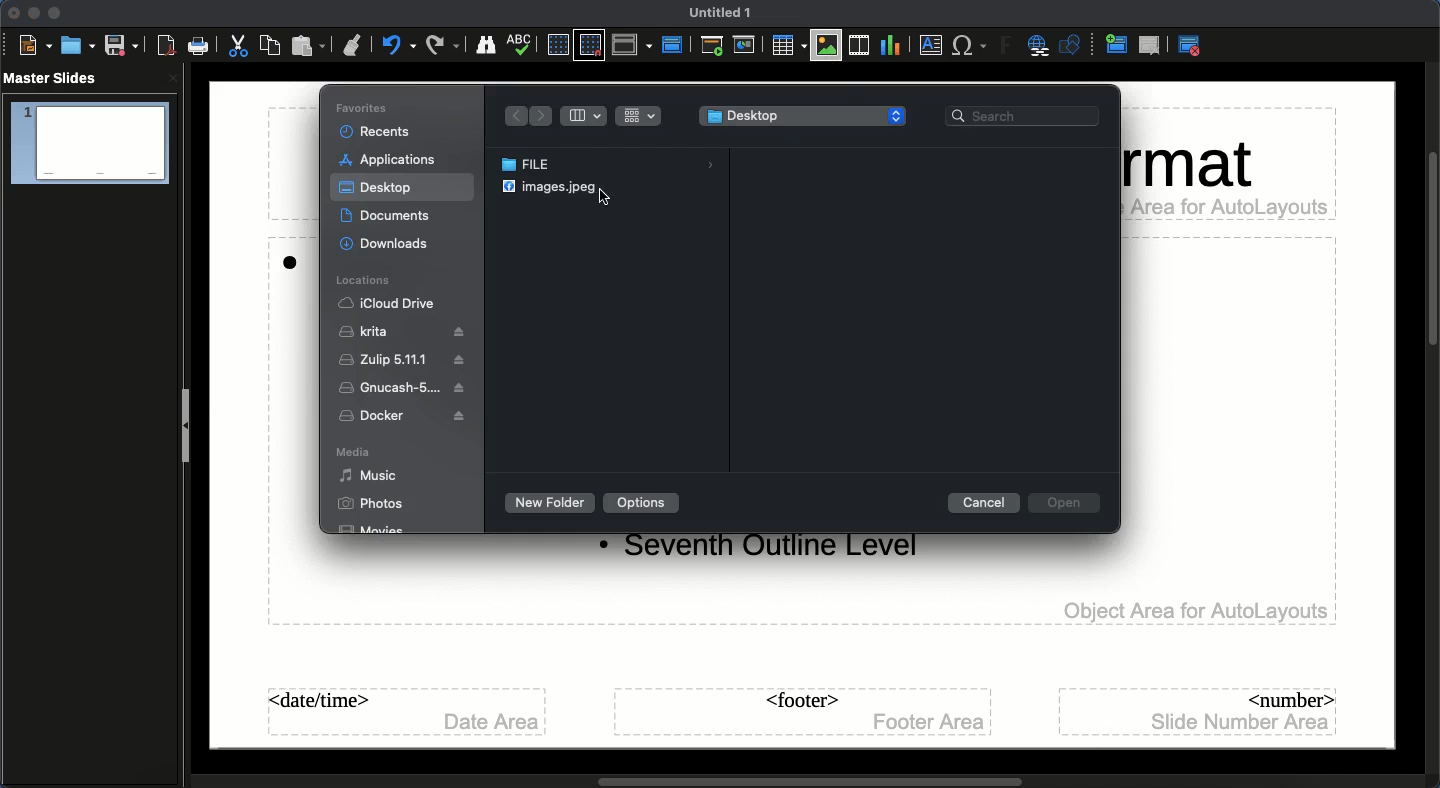 The height and width of the screenshot is (788, 1440). What do you see at coordinates (589, 45) in the screenshot?
I see `Snap to grid` at bounding box center [589, 45].